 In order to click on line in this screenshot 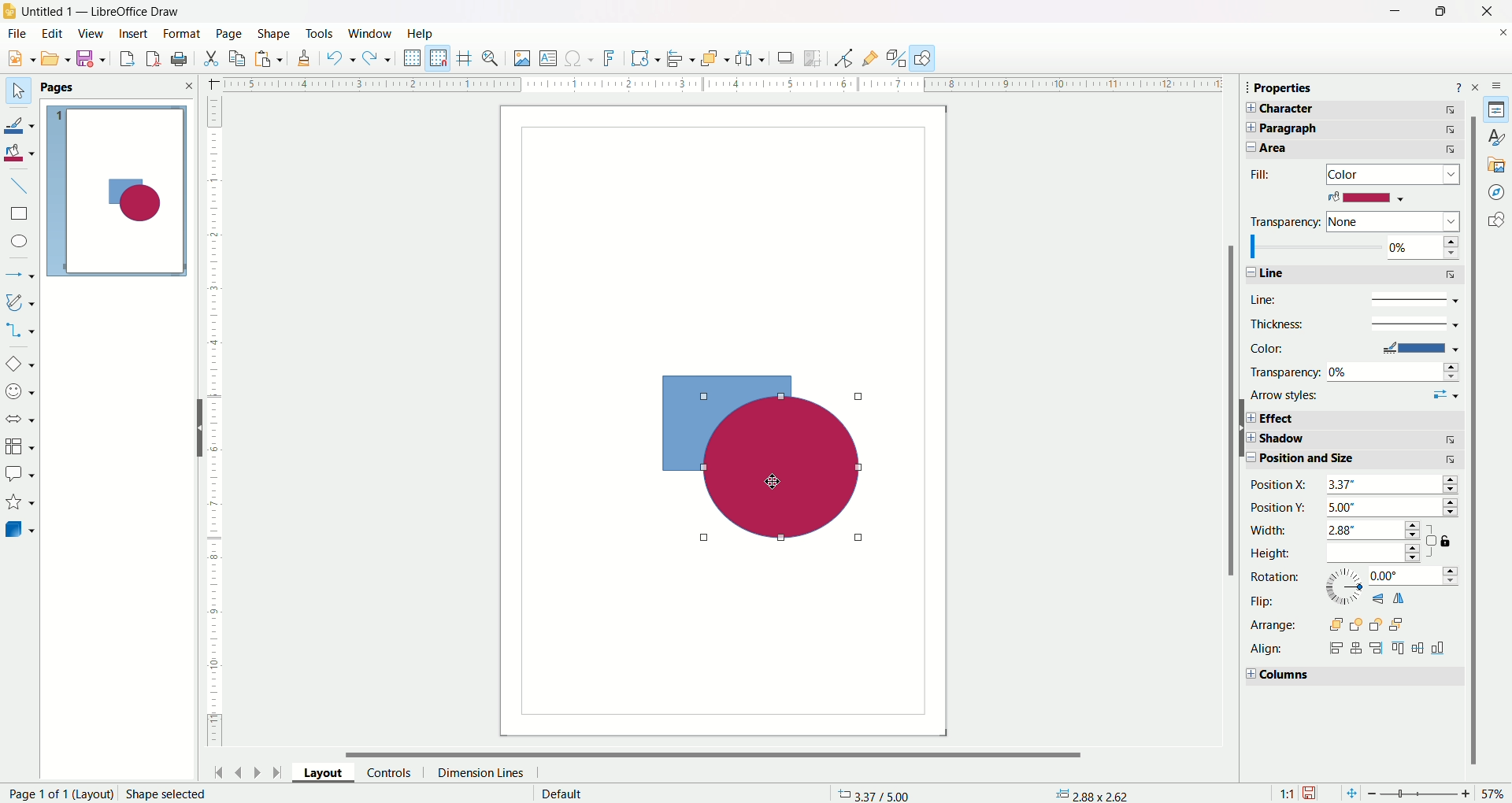, I will do `click(1352, 275)`.